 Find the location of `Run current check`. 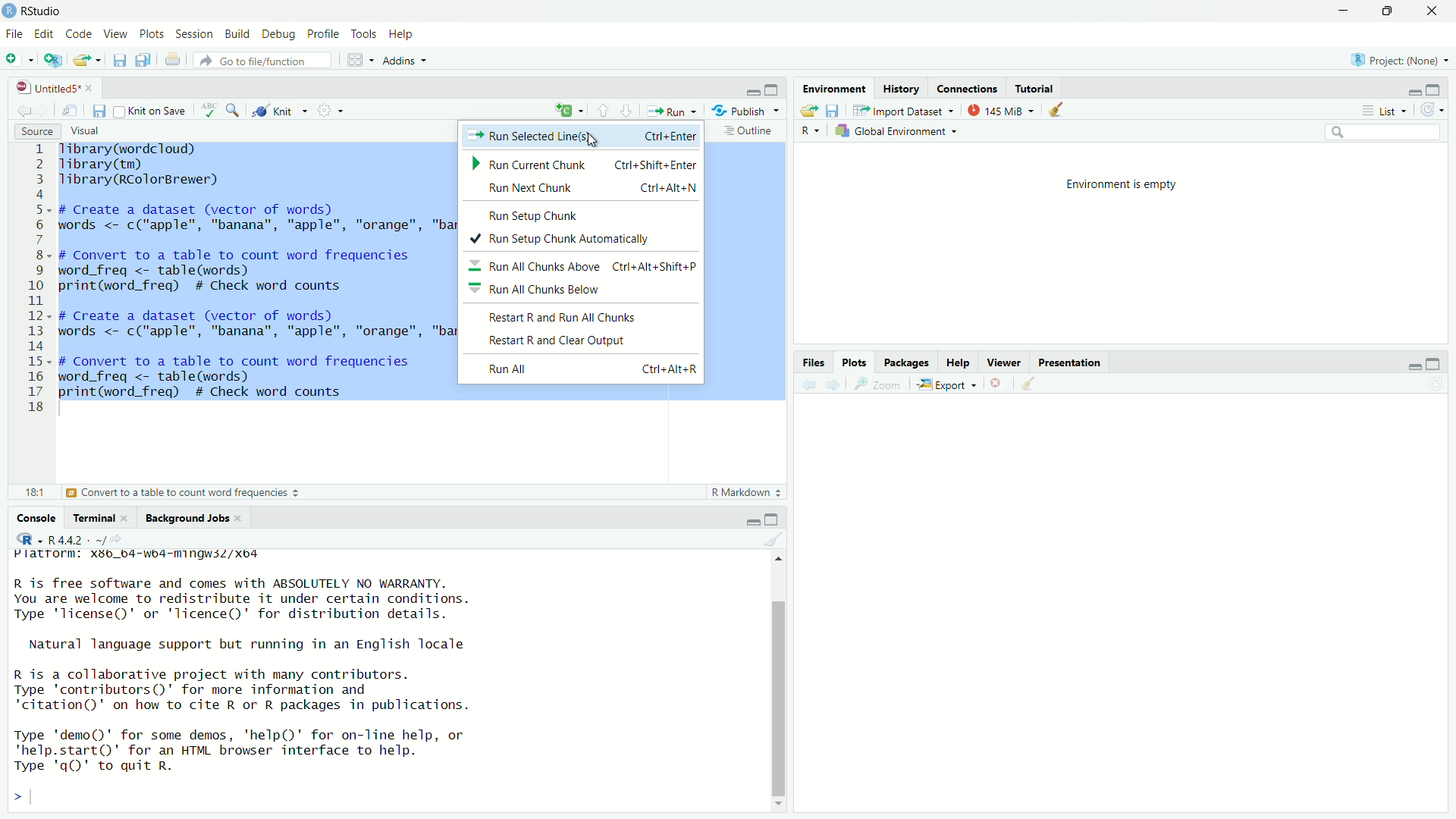

Run current check is located at coordinates (585, 164).